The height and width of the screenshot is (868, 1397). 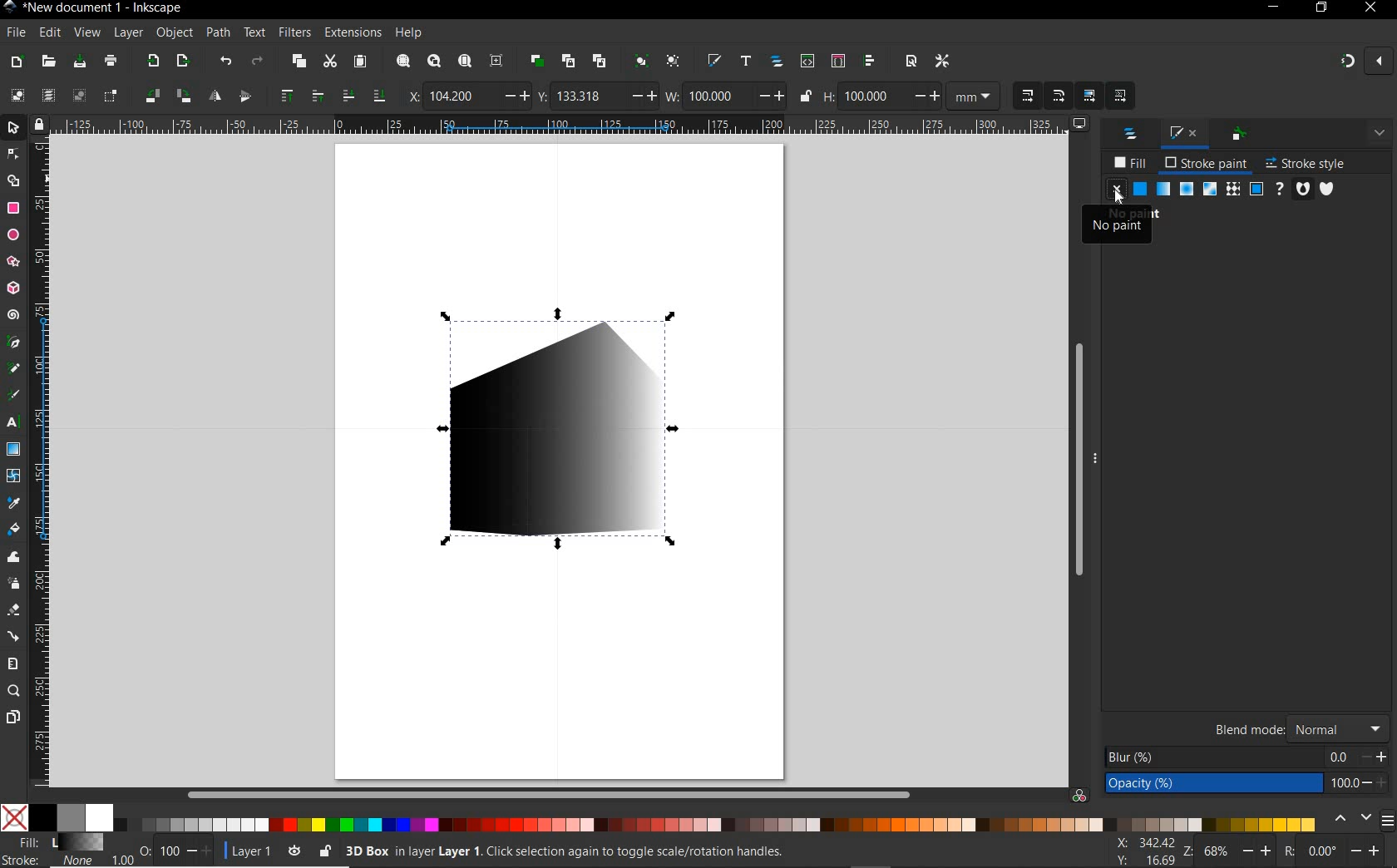 I want to click on lock, so click(x=39, y=124).